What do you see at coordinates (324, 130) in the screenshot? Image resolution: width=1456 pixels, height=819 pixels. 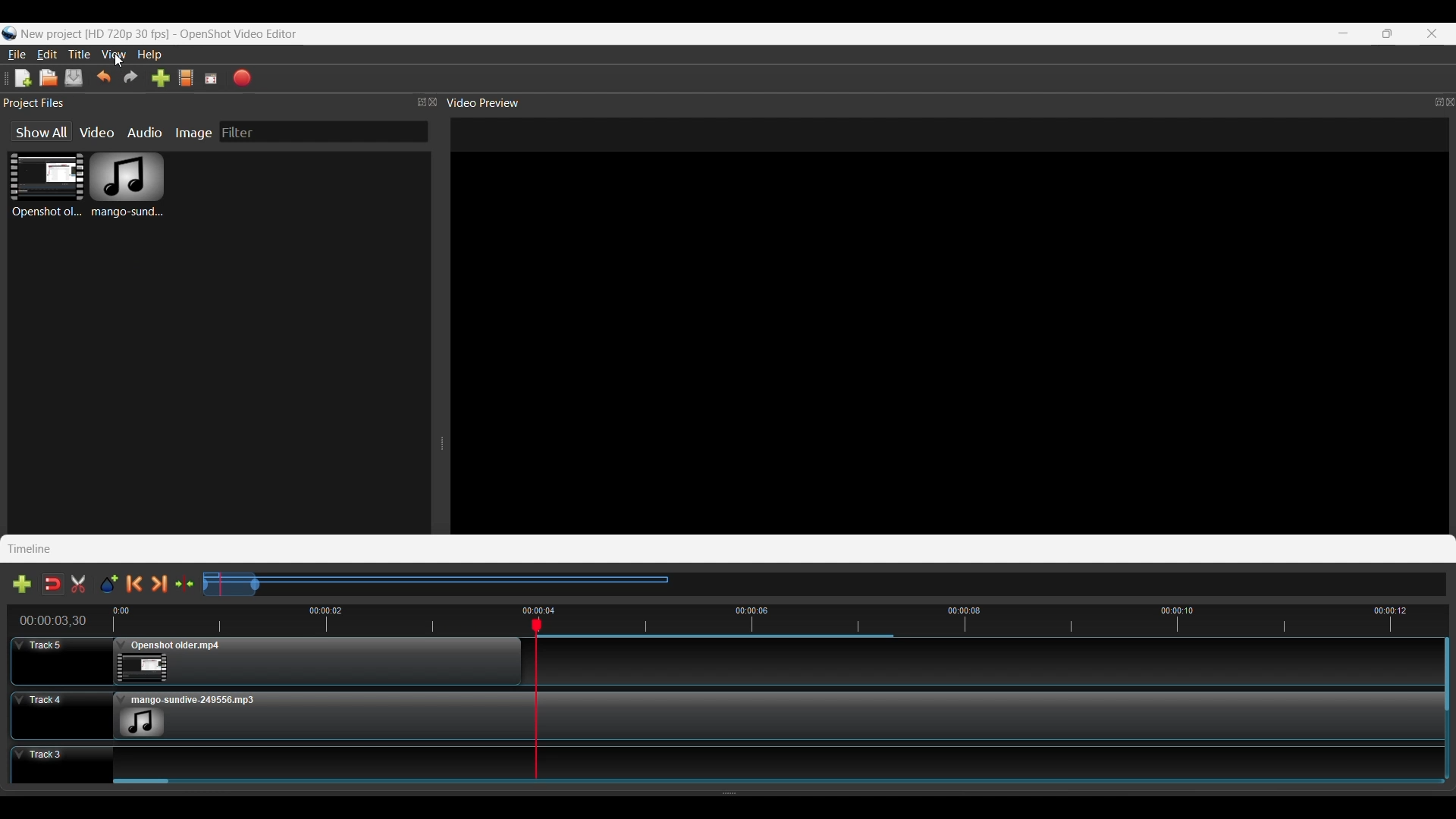 I see `Filter` at bounding box center [324, 130].